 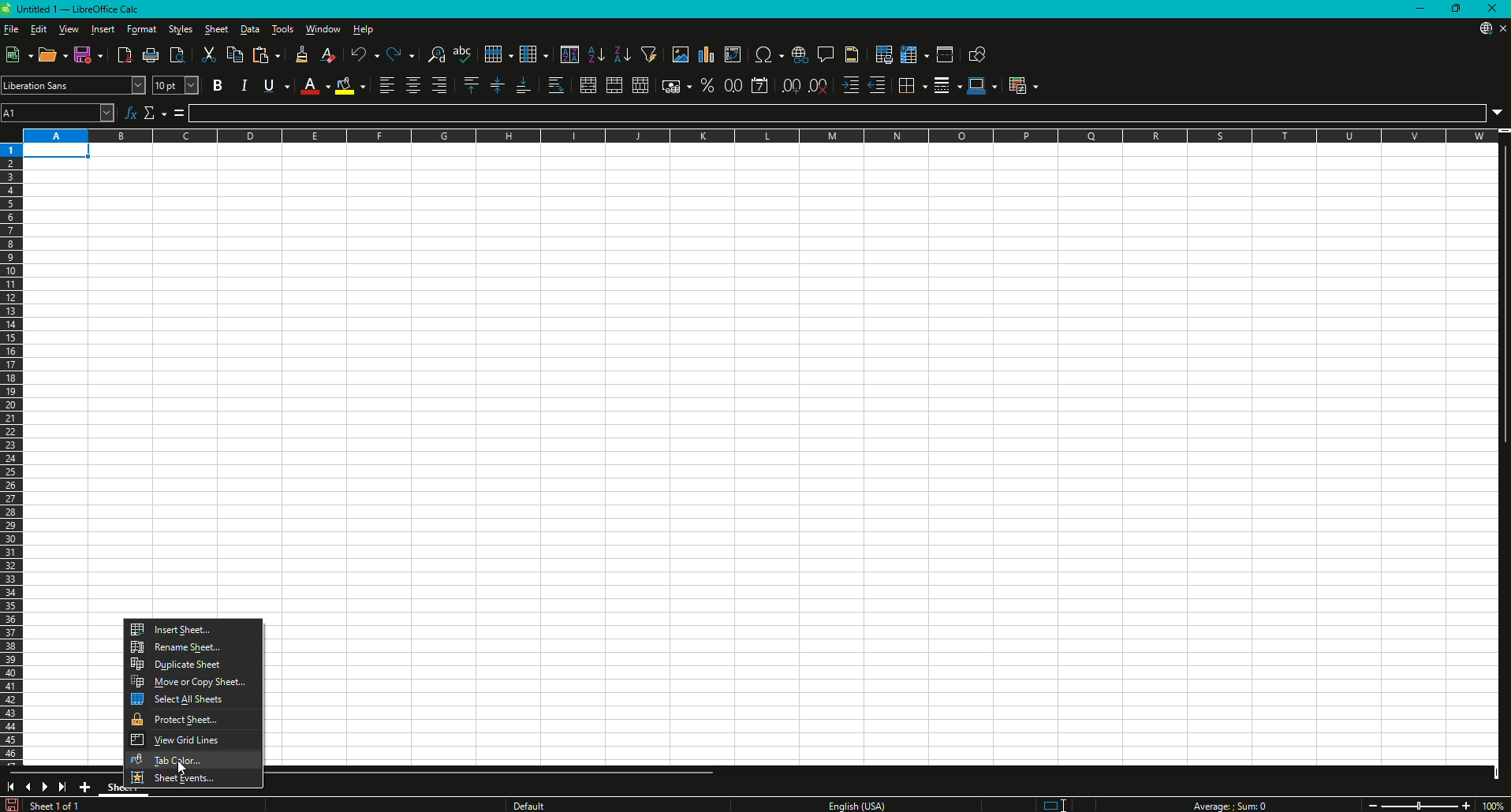 What do you see at coordinates (151, 54) in the screenshot?
I see `Print` at bounding box center [151, 54].